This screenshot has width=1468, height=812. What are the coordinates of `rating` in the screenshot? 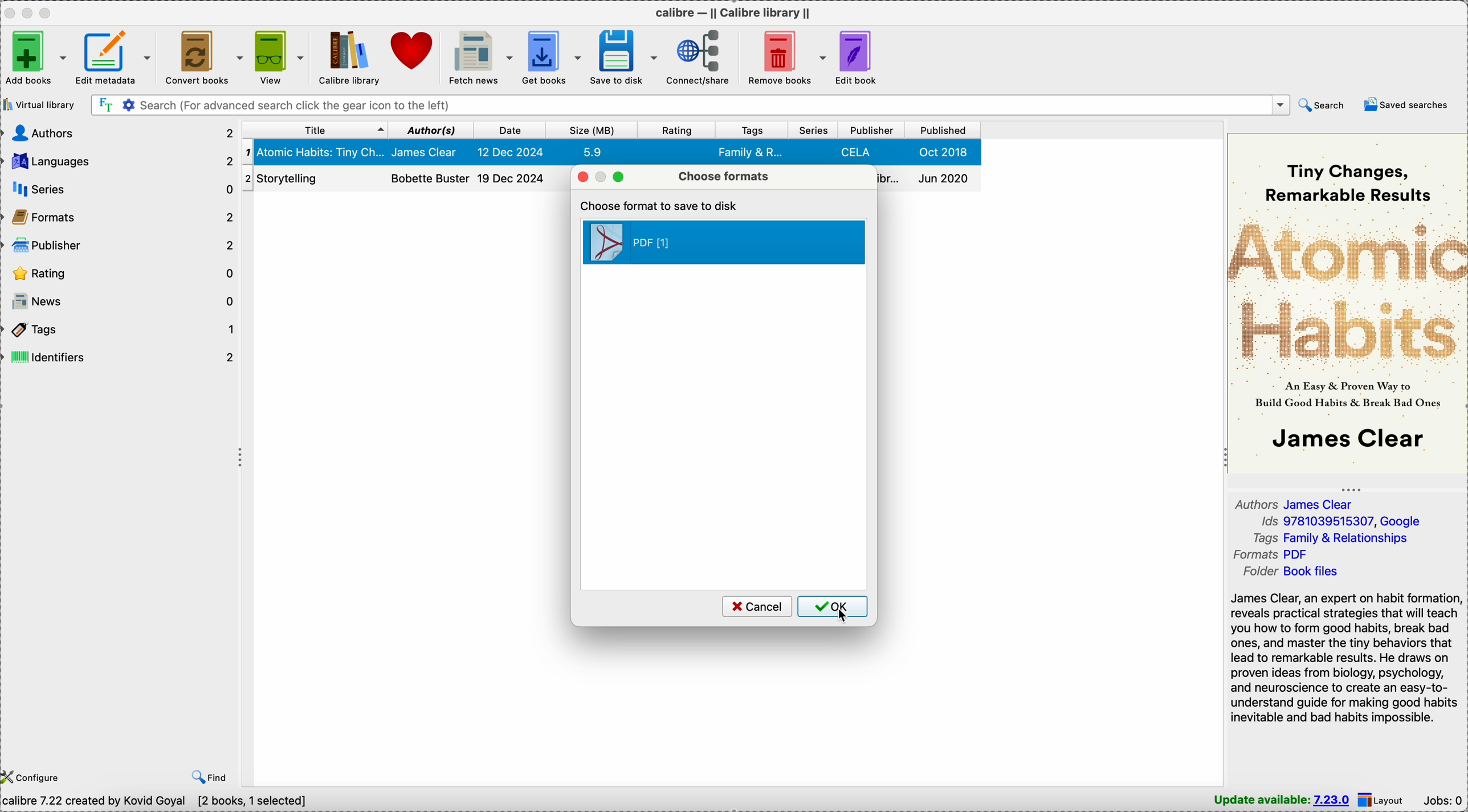 It's located at (121, 274).